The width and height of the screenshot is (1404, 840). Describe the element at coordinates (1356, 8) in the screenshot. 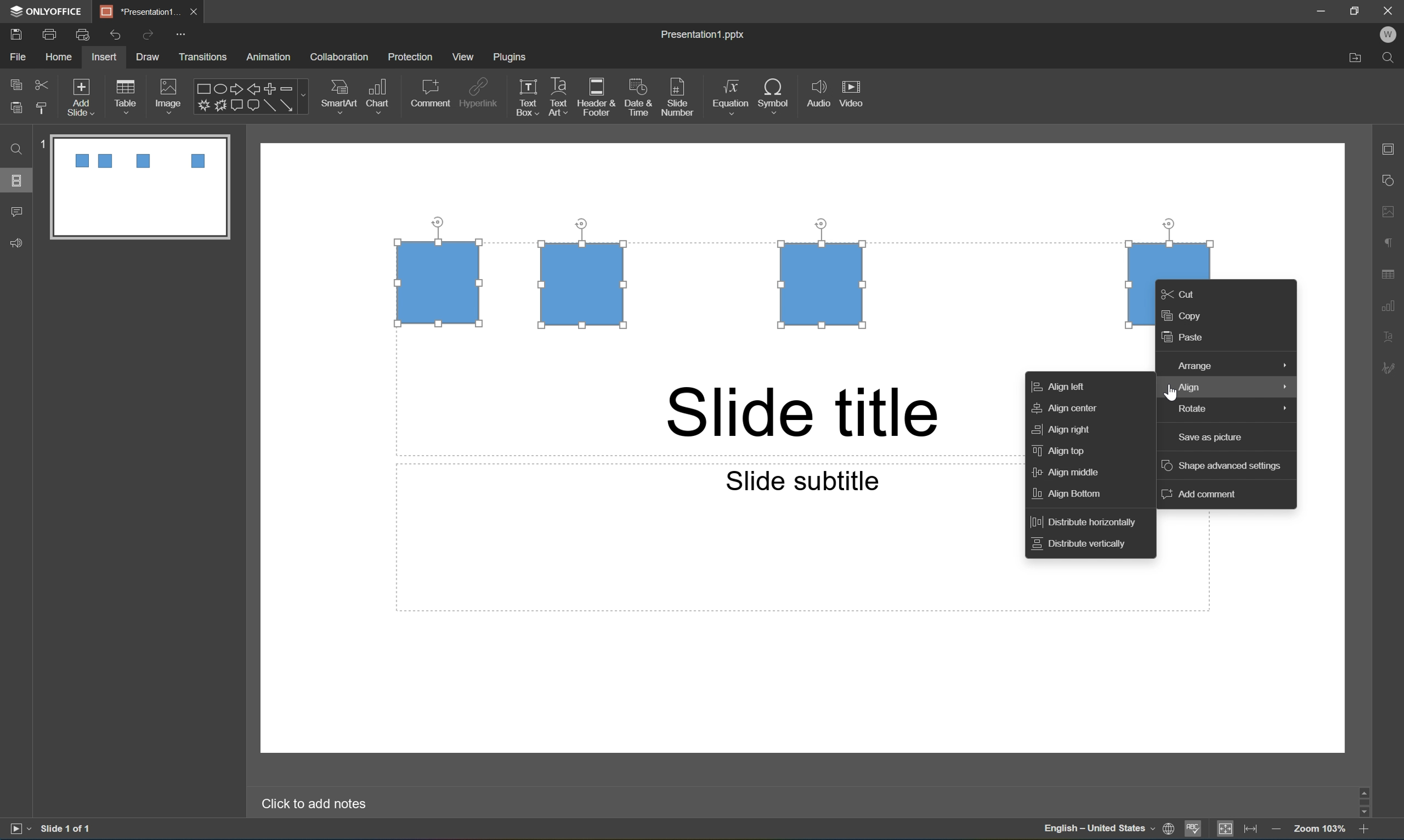

I see `restore down` at that location.